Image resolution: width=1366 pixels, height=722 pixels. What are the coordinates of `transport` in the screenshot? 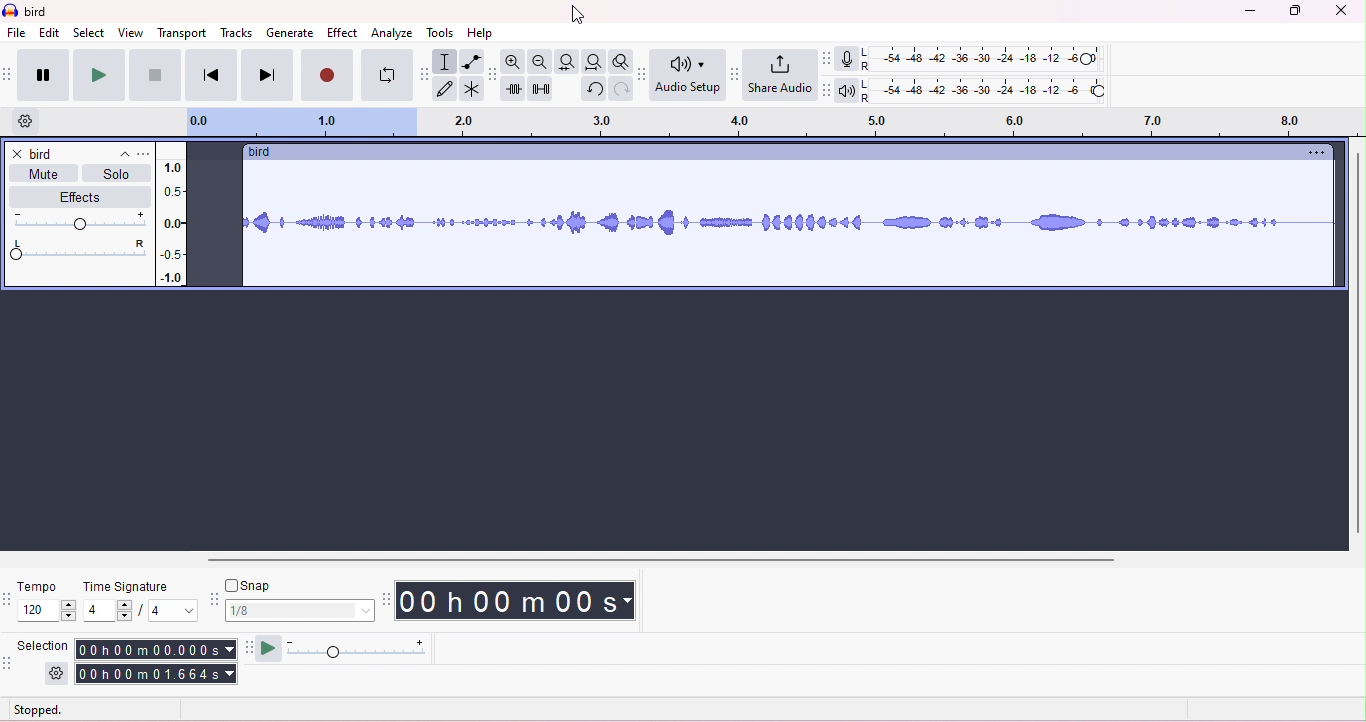 It's located at (184, 32).